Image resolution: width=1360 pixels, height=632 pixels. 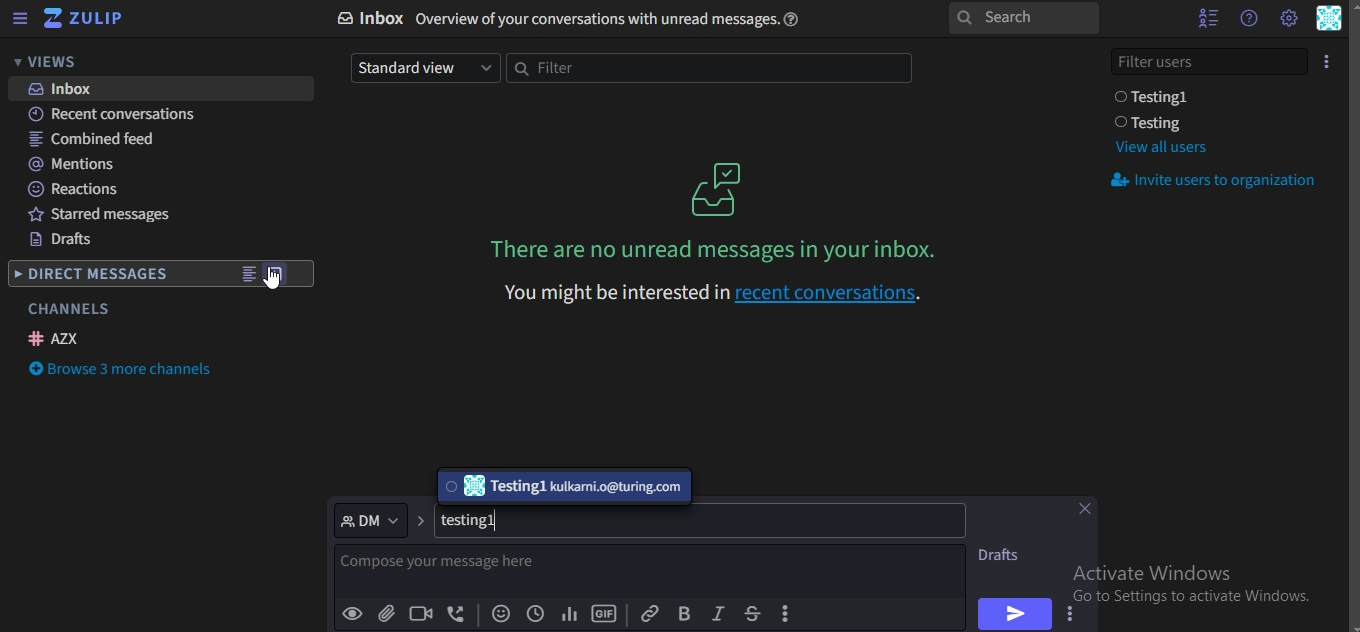 I want to click on inbox, so click(x=577, y=19).